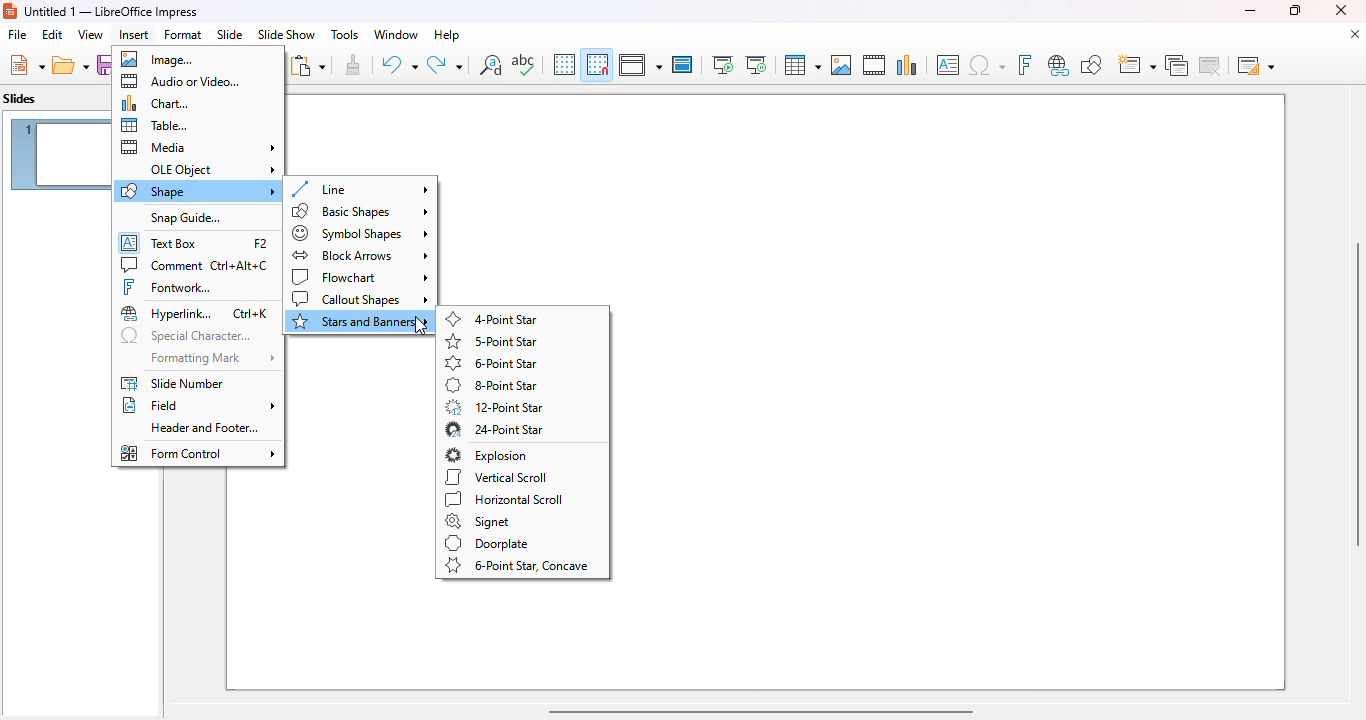 The height and width of the screenshot is (720, 1366). Describe the element at coordinates (184, 218) in the screenshot. I see `snap guide` at that location.